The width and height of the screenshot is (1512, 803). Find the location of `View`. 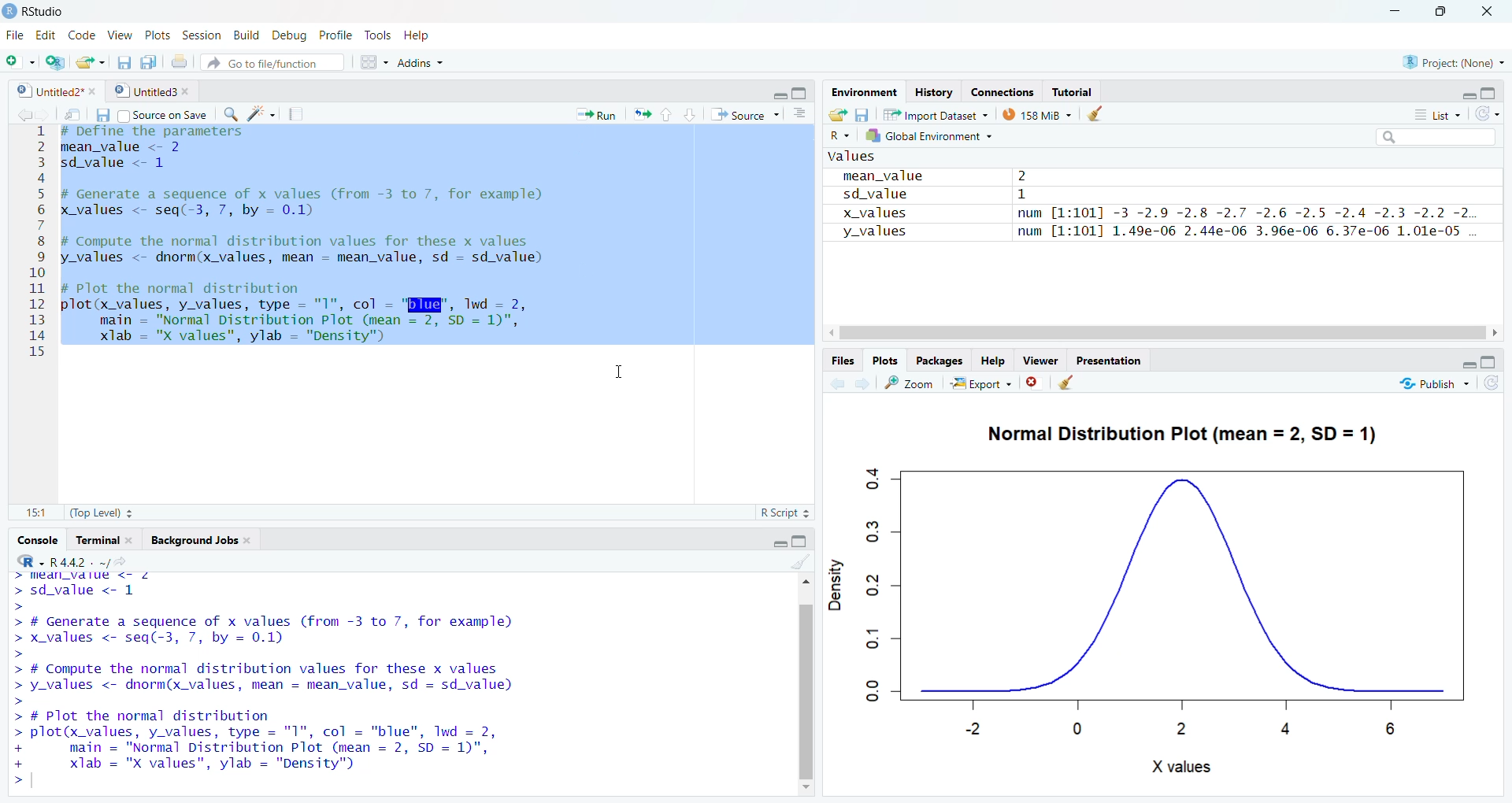

View is located at coordinates (117, 33).